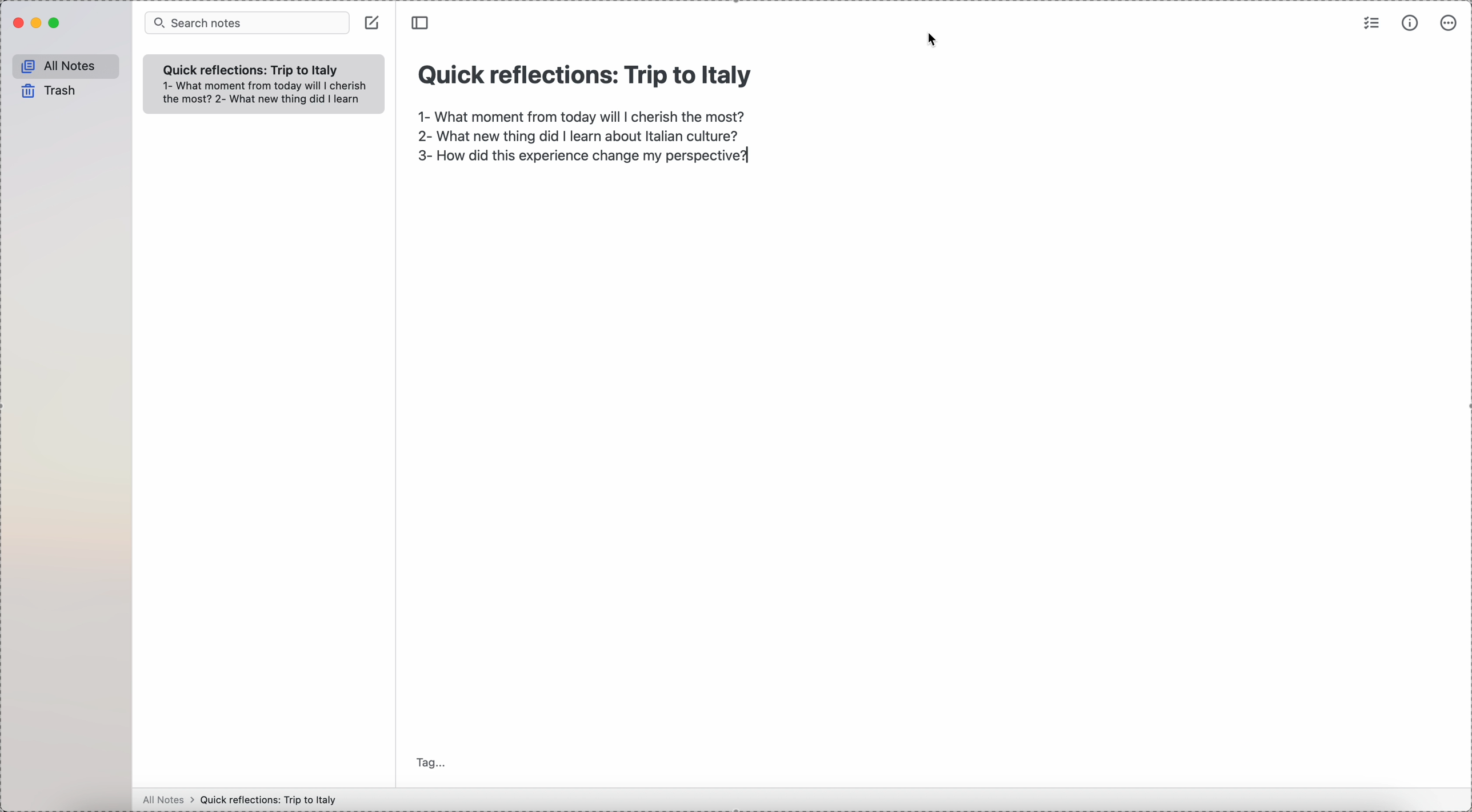  Describe the element at coordinates (579, 135) in the screenshot. I see `2- What new thing did I learn about Italian culture?` at that location.